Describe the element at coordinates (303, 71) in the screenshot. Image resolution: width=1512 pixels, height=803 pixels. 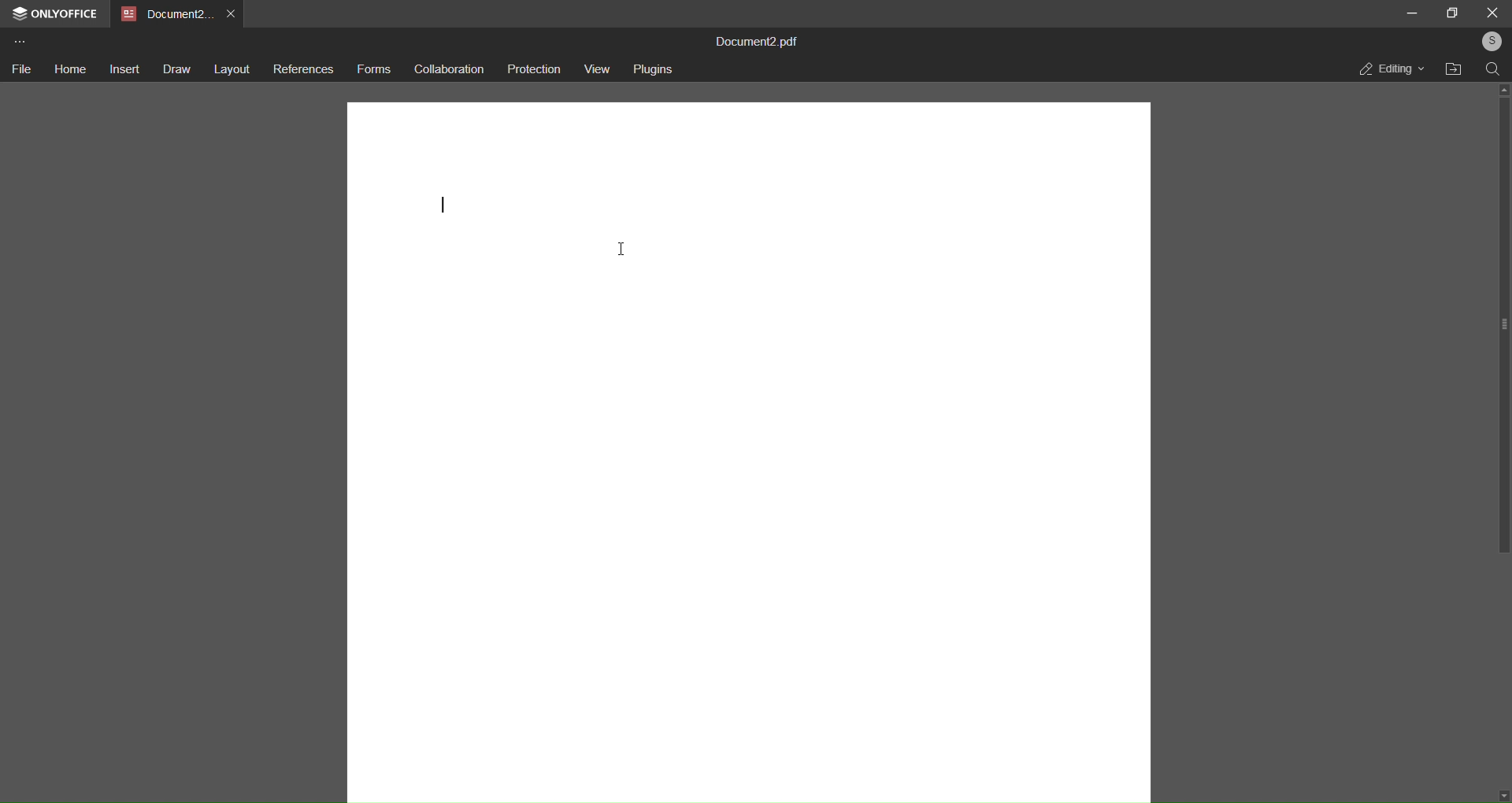
I see `references` at that location.